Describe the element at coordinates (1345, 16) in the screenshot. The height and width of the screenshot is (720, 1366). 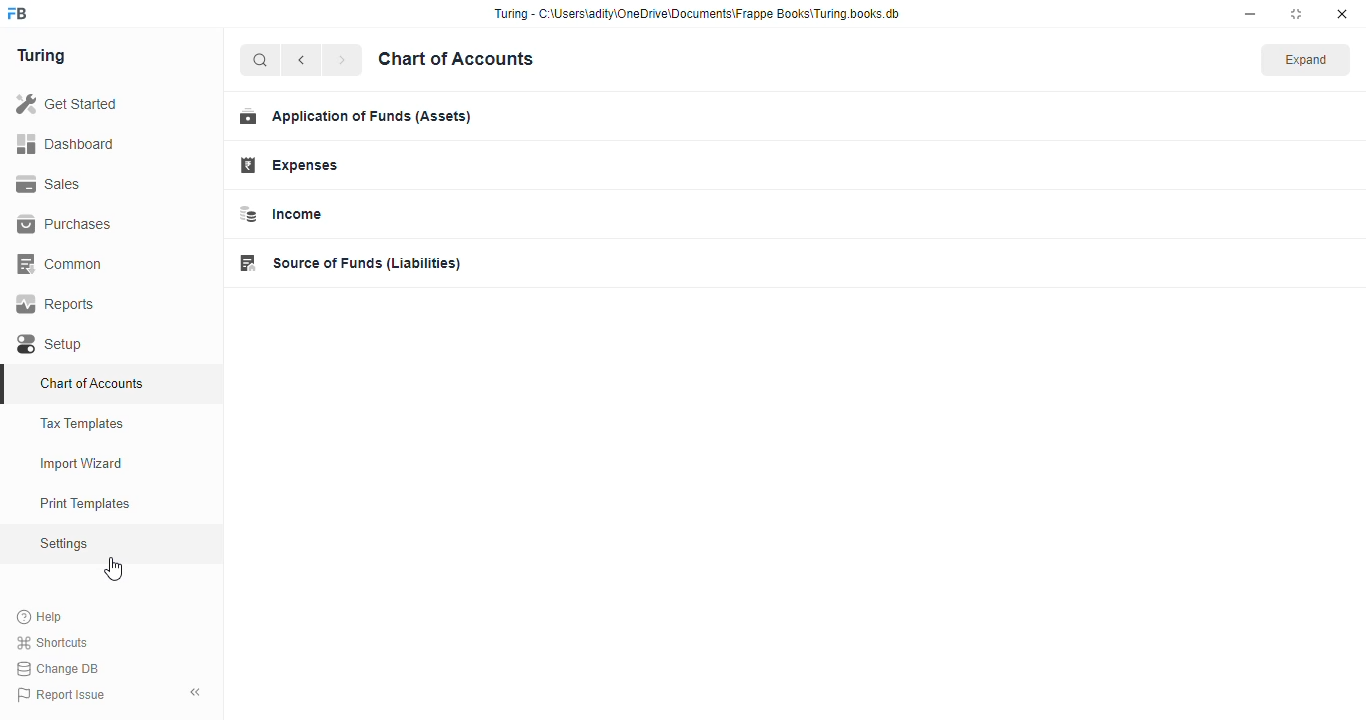
I see `close` at that location.